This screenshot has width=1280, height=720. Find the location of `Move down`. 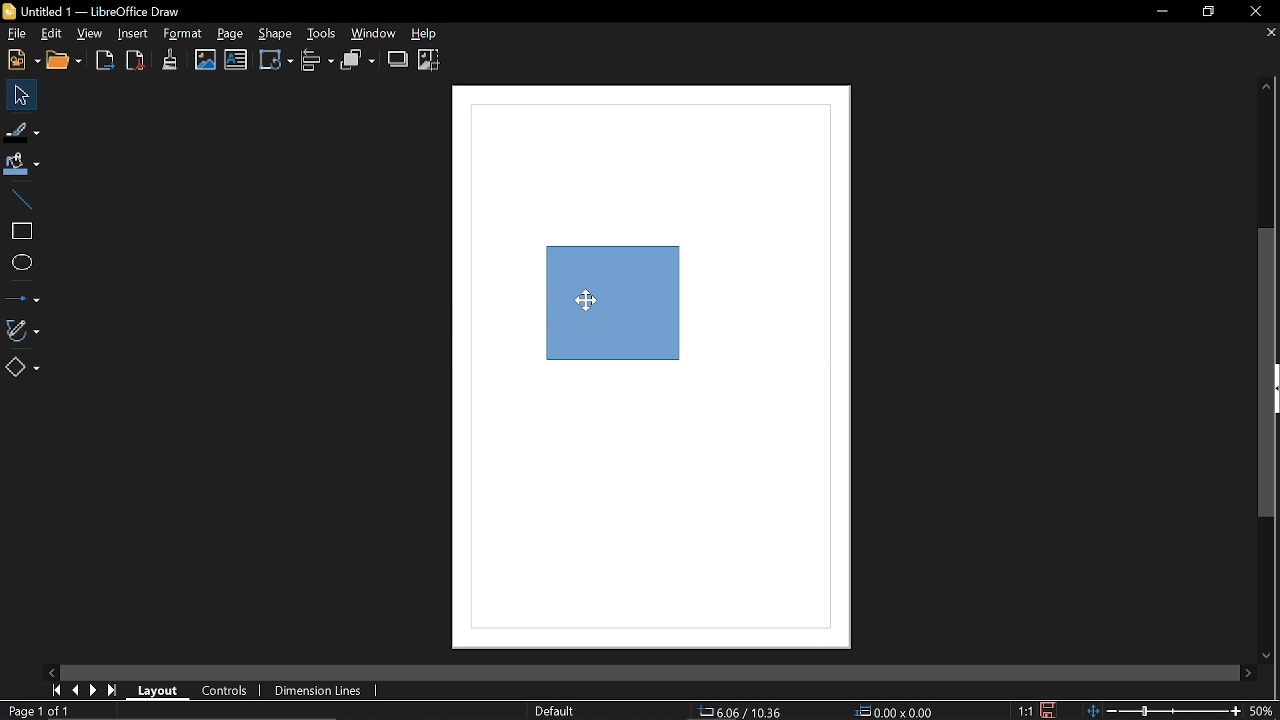

Move down is located at coordinates (1268, 657).